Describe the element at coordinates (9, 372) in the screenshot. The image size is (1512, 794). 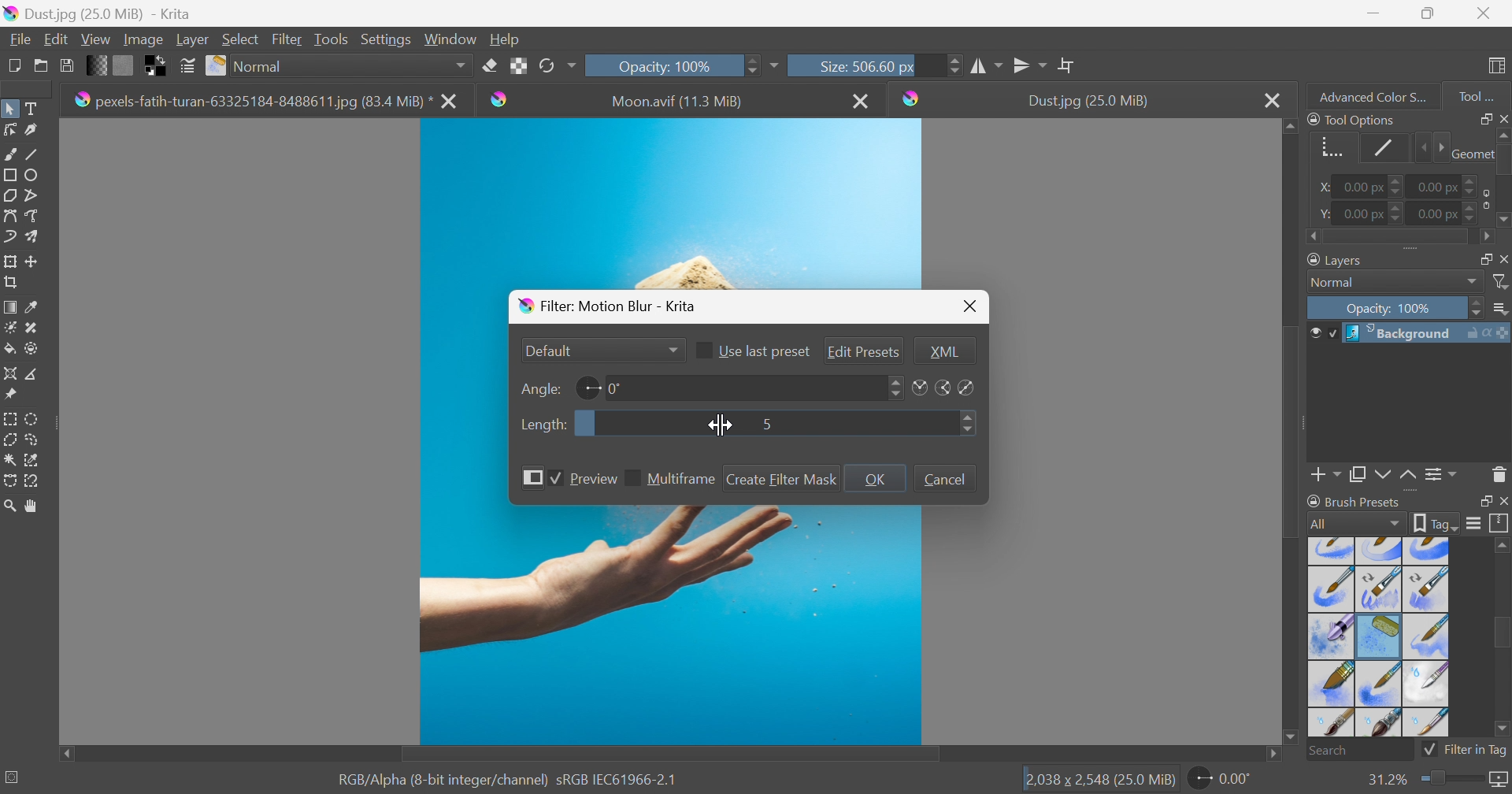
I see `Assistant tool` at that location.